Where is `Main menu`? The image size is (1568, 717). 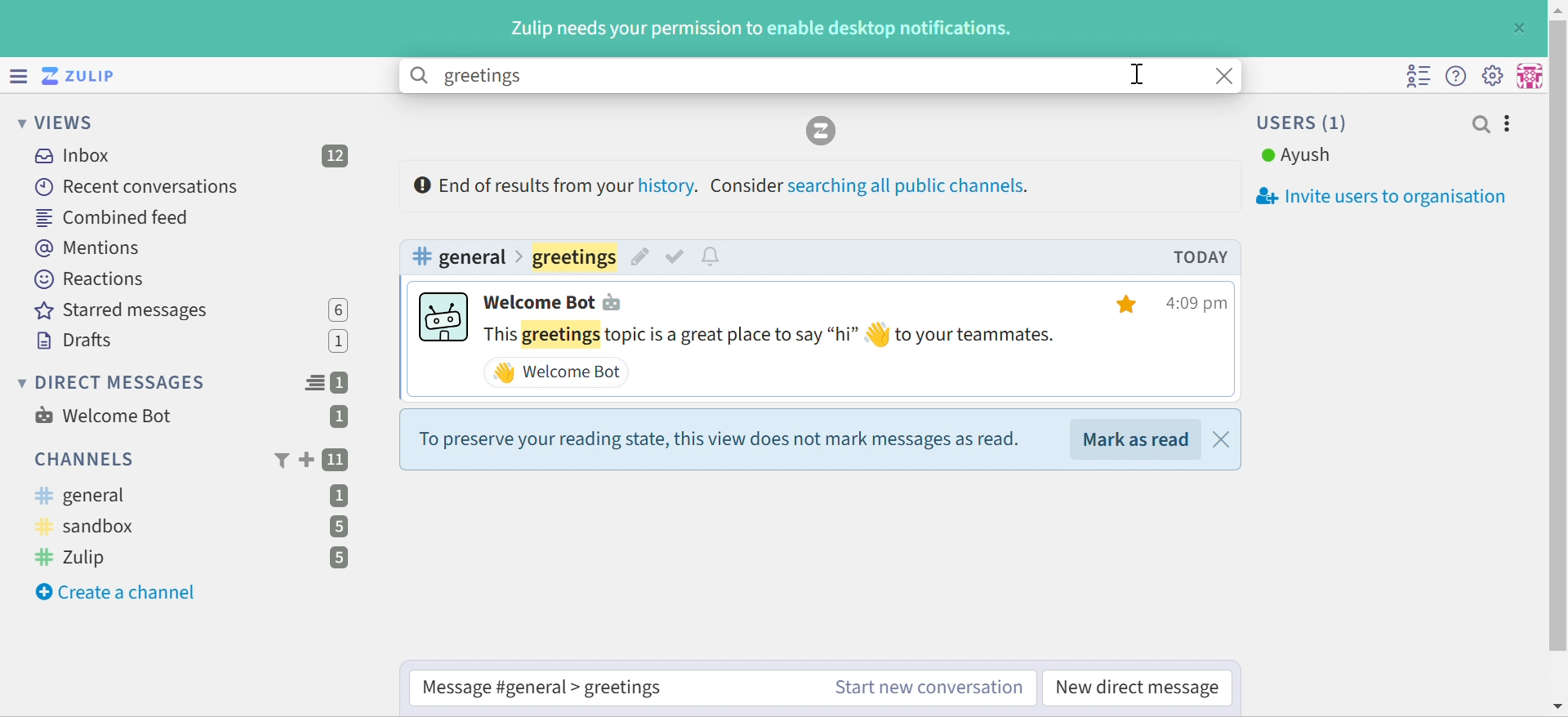
Main menu is located at coordinates (1495, 75).